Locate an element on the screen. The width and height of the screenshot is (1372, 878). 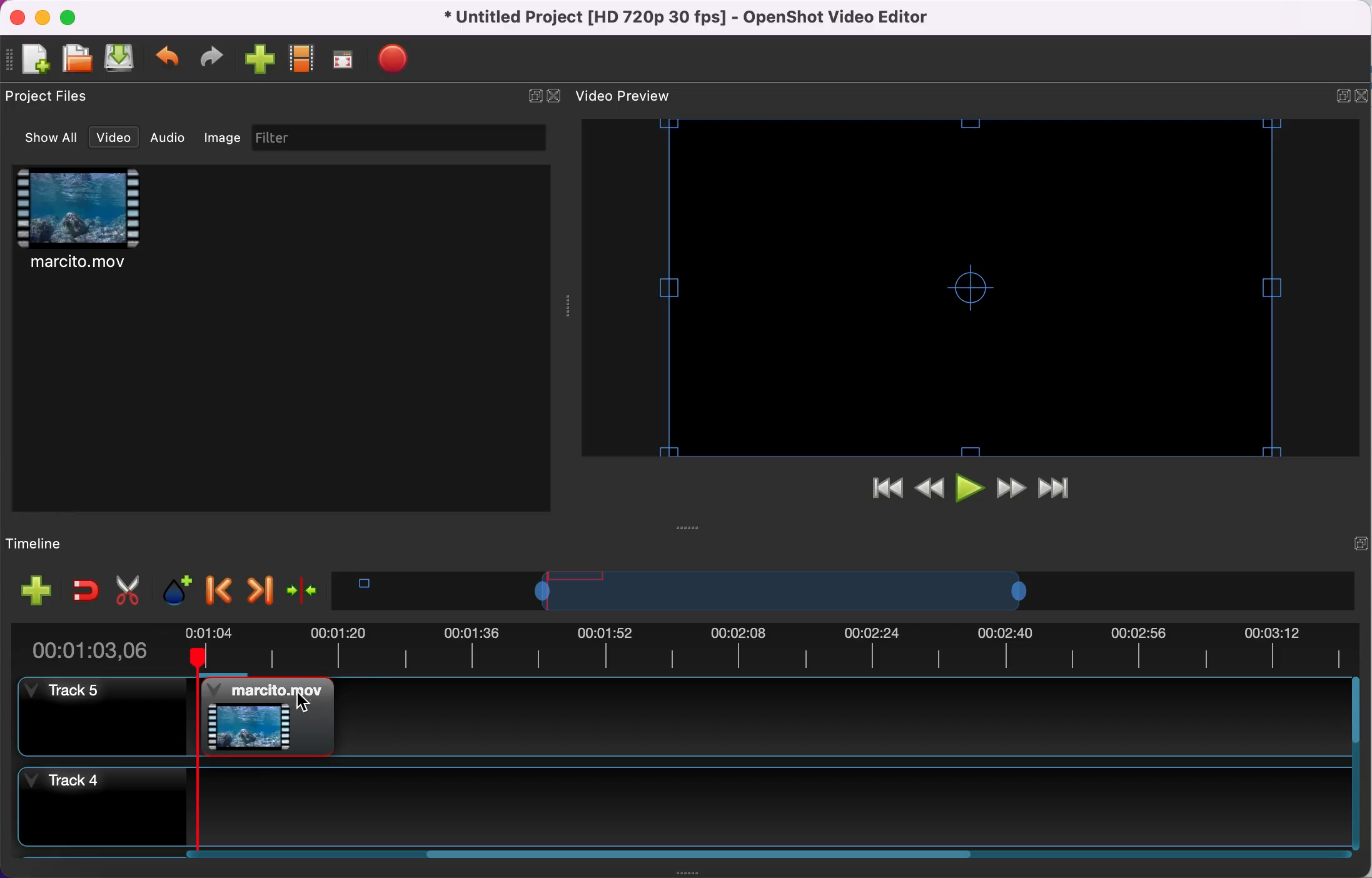
full screen is located at coordinates (344, 59).